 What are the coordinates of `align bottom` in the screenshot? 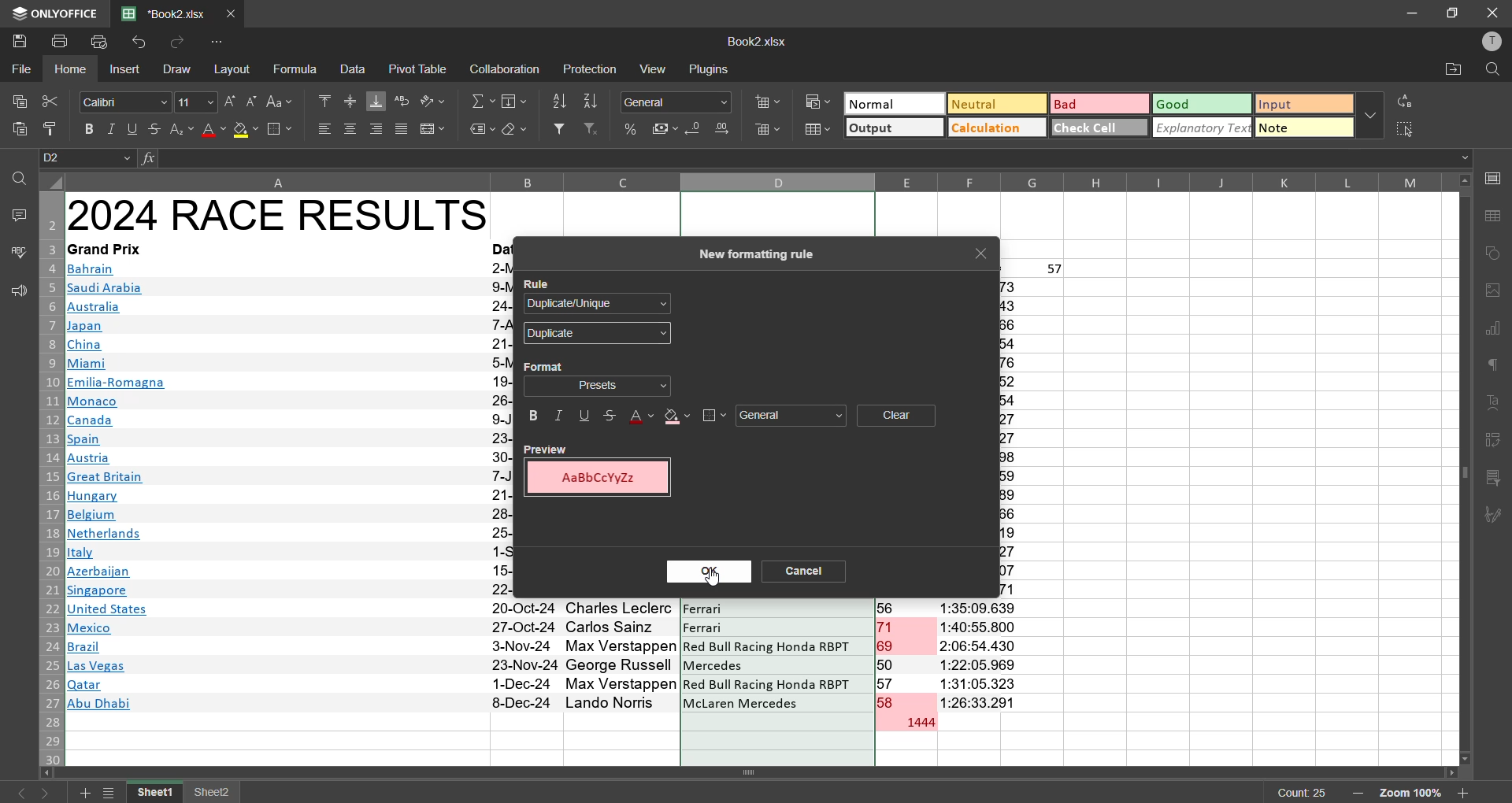 It's located at (377, 101).